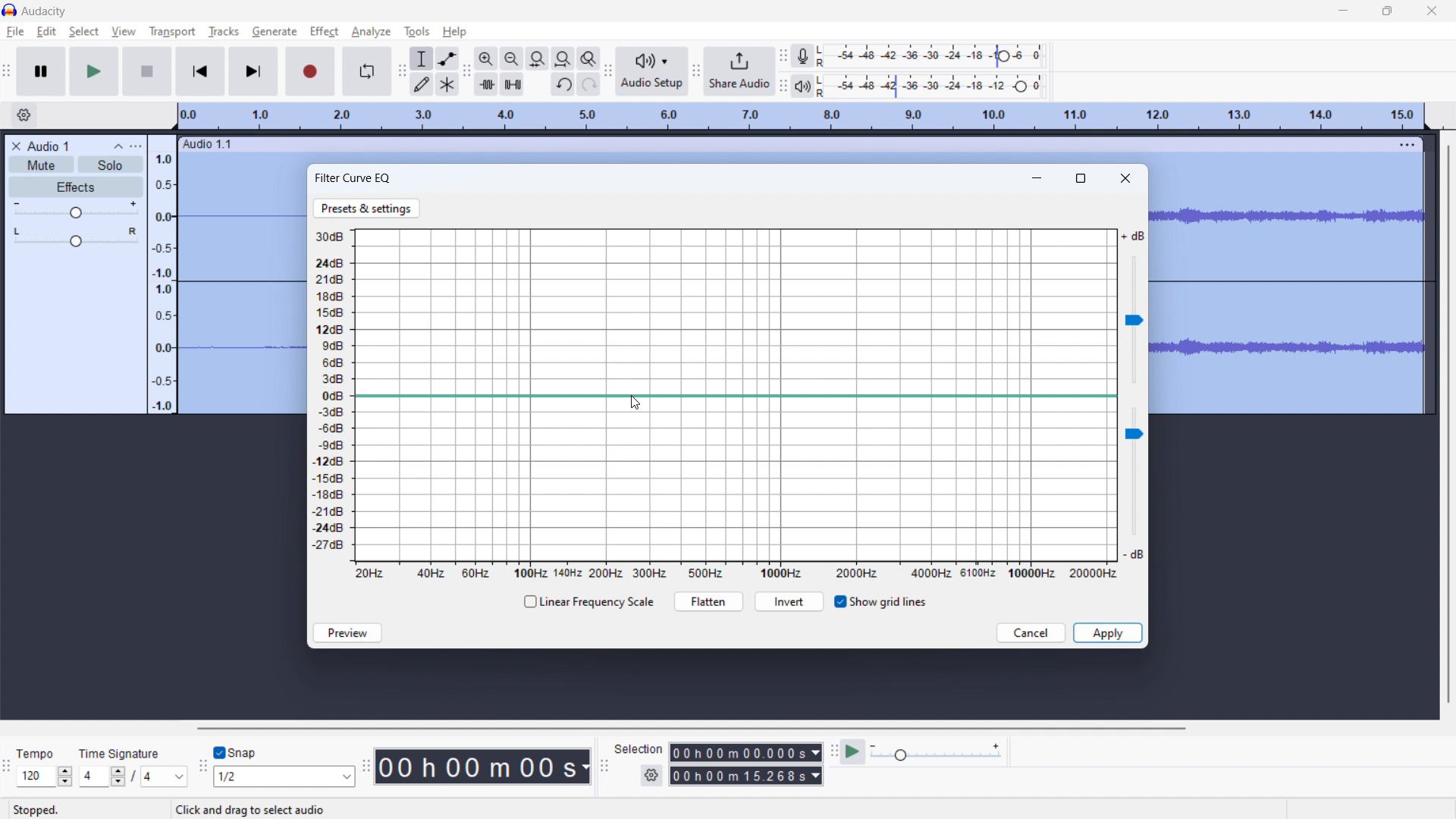  Describe the element at coordinates (47, 32) in the screenshot. I see `edit` at that location.